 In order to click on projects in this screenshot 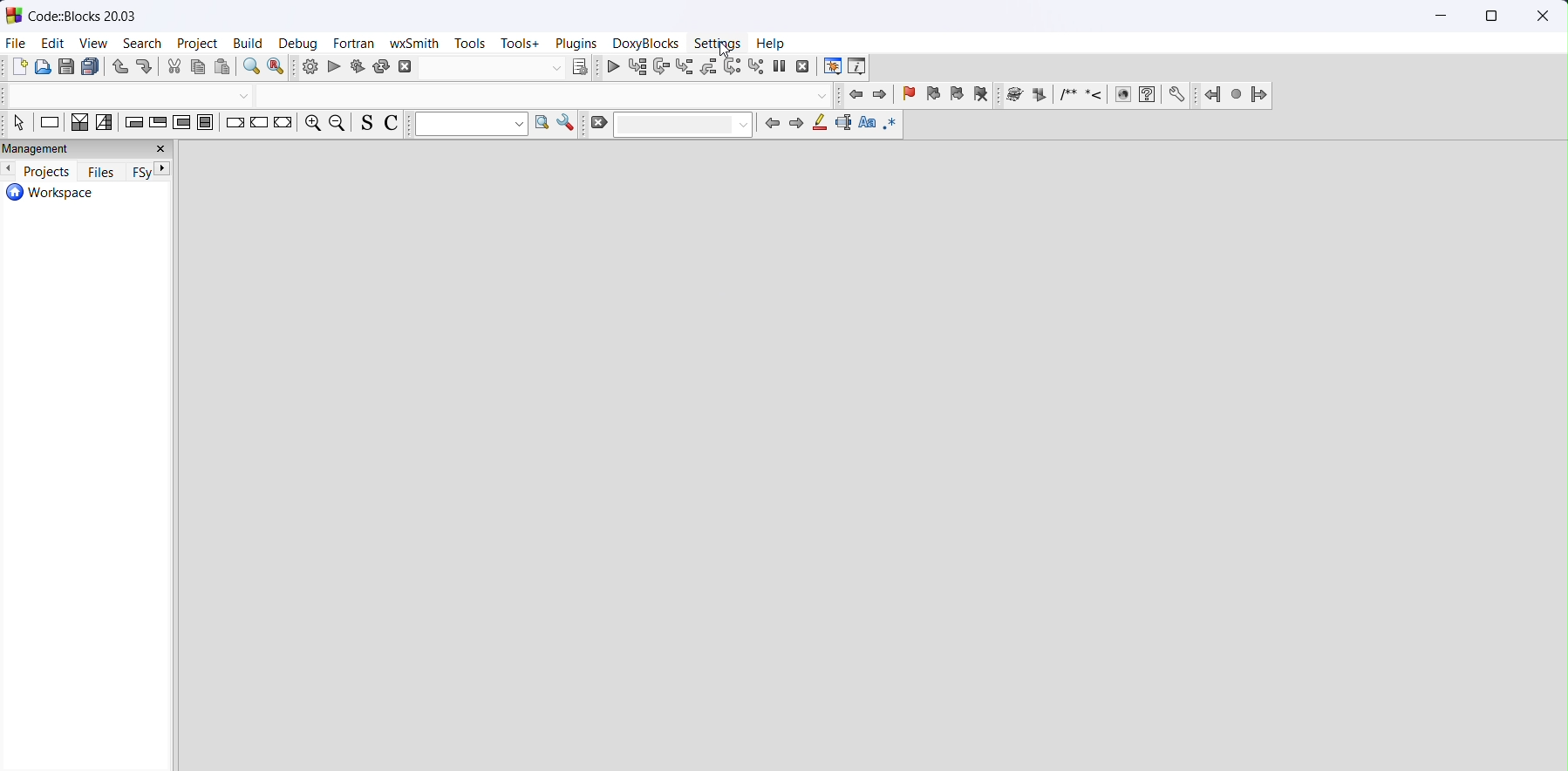, I will do `click(47, 170)`.